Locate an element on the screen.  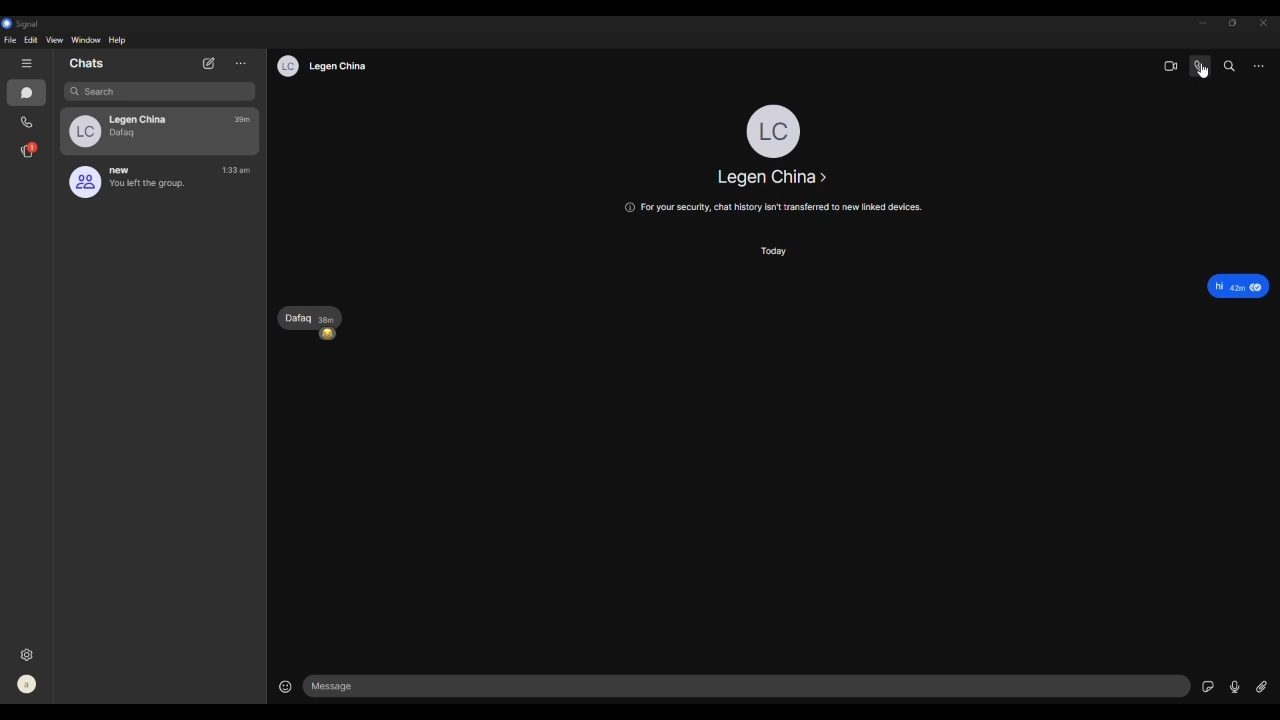
view is located at coordinates (56, 41).